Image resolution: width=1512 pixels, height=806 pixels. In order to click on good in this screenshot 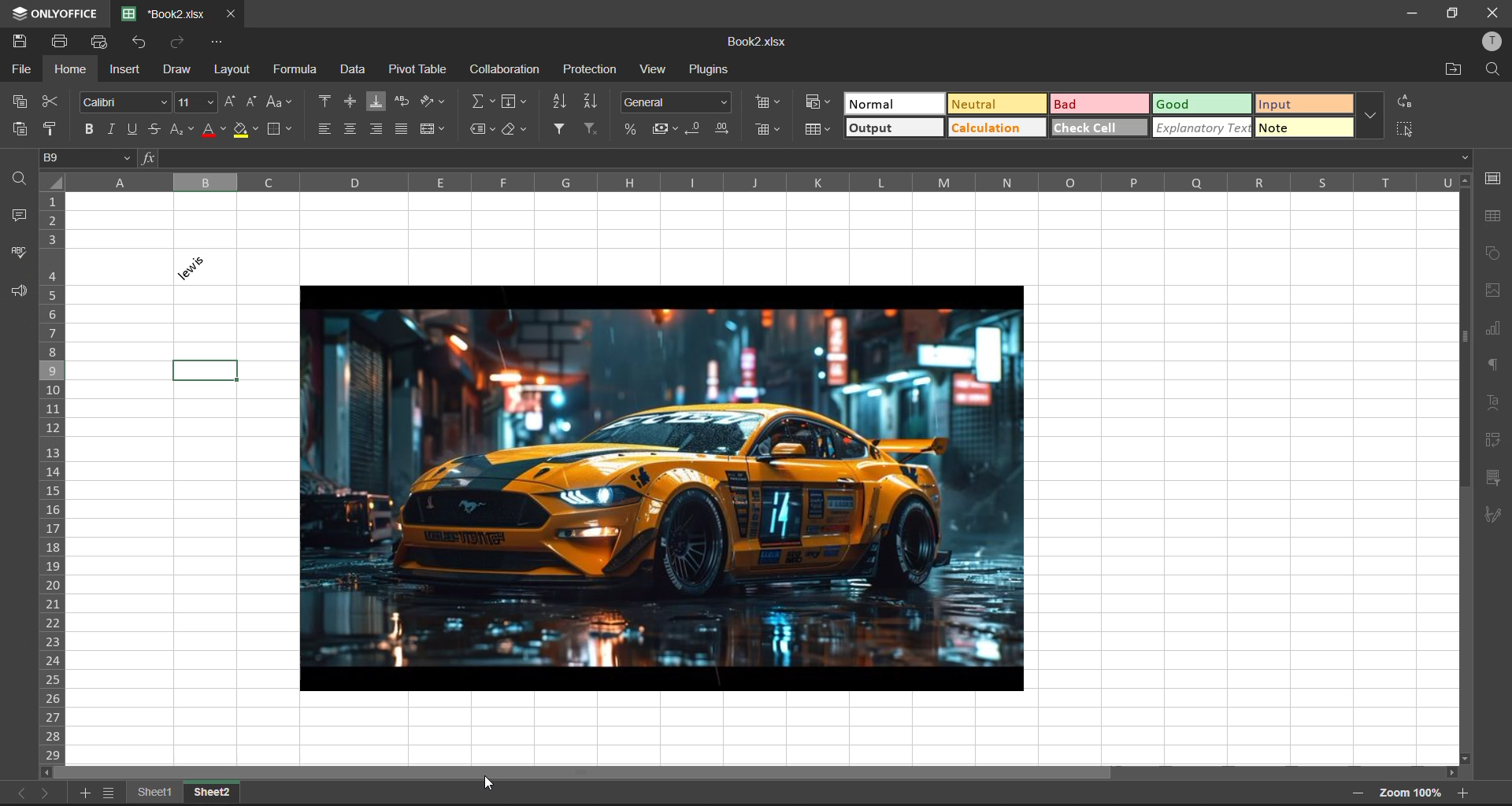, I will do `click(1196, 104)`.